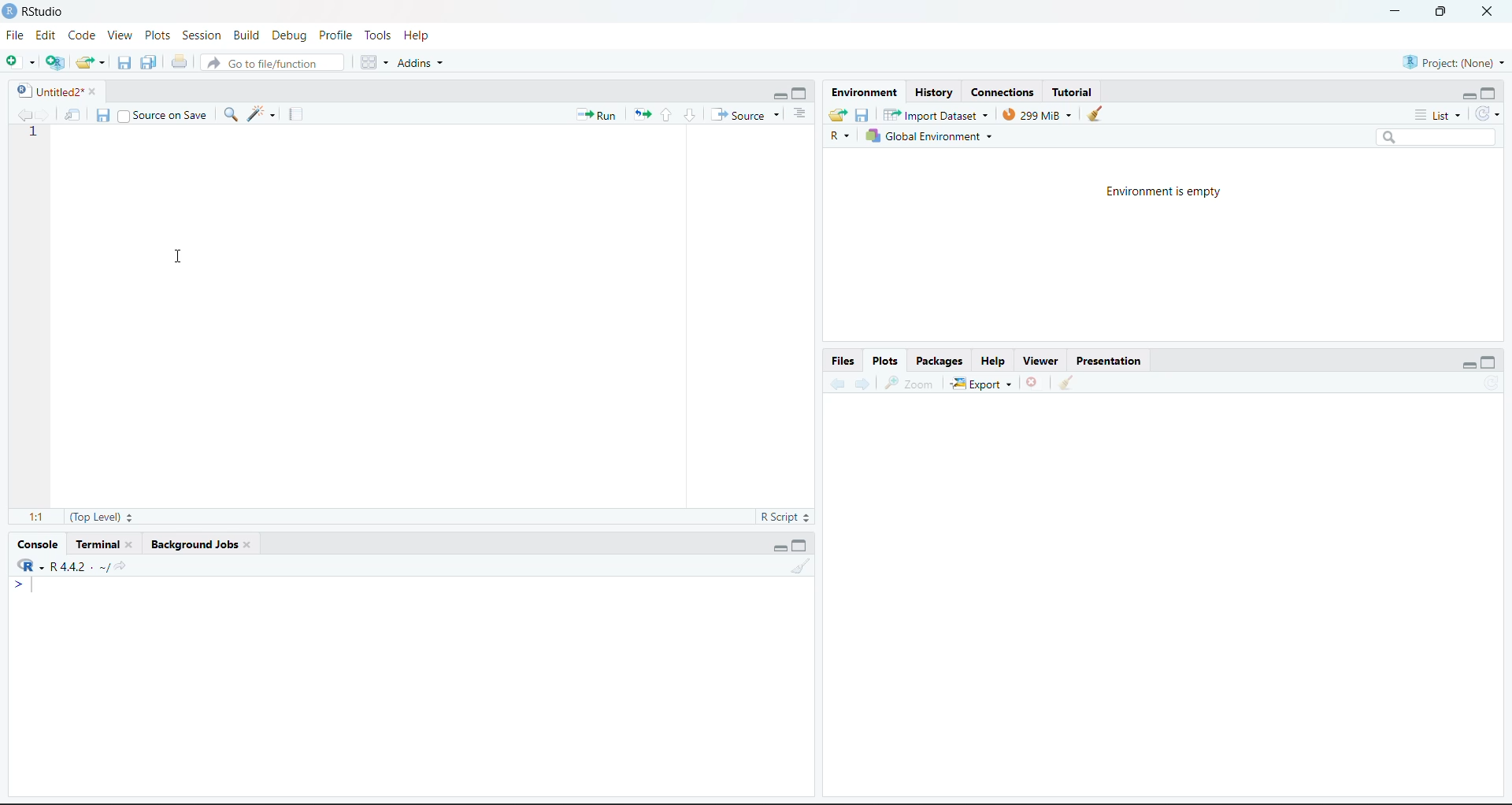 This screenshot has height=805, width=1512. Describe the element at coordinates (865, 382) in the screenshot. I see `Next plot` at that location.